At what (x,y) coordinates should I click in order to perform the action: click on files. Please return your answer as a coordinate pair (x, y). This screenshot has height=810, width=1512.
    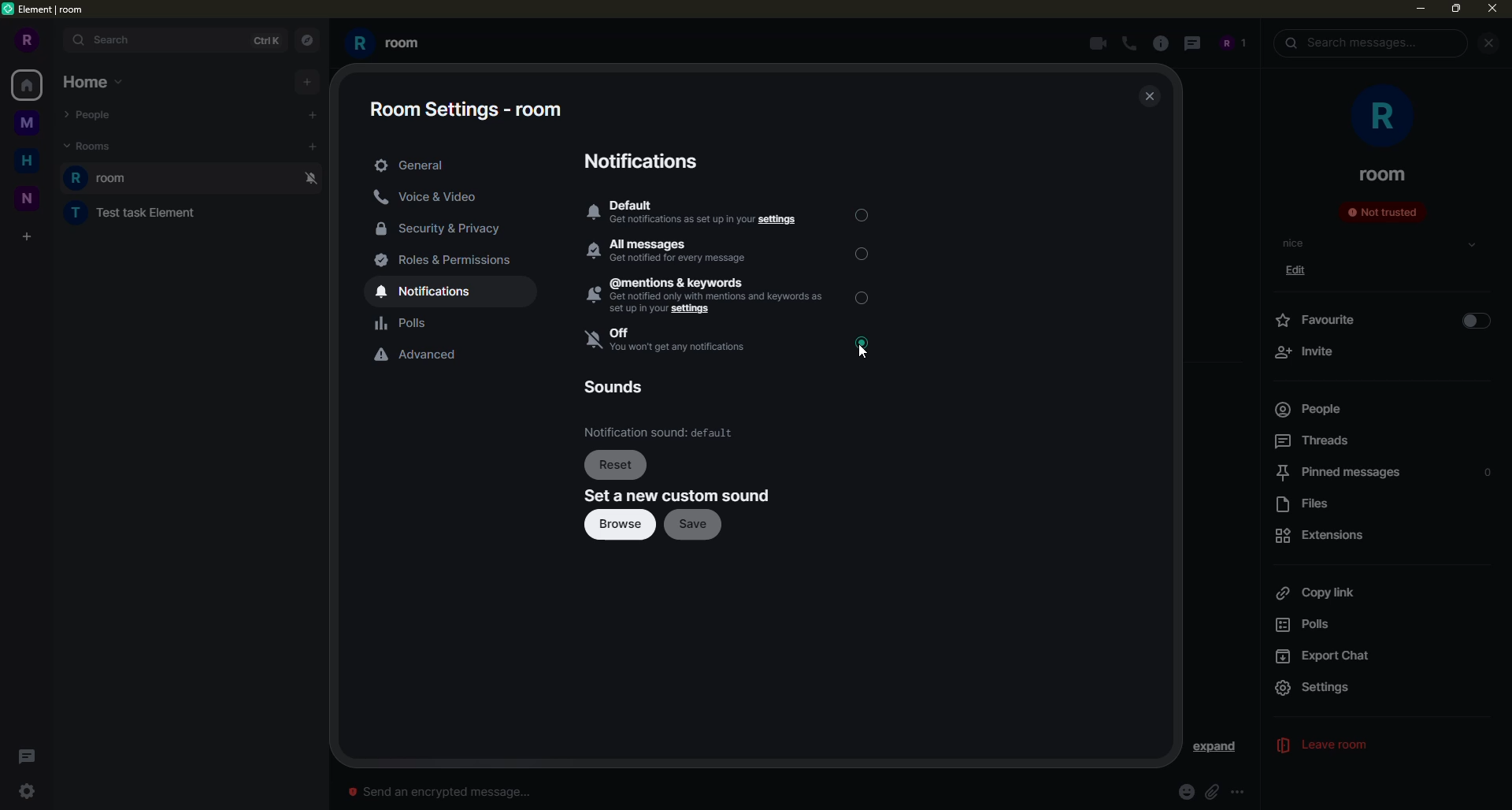
    Looking at the image, I should click on (1310, 504).